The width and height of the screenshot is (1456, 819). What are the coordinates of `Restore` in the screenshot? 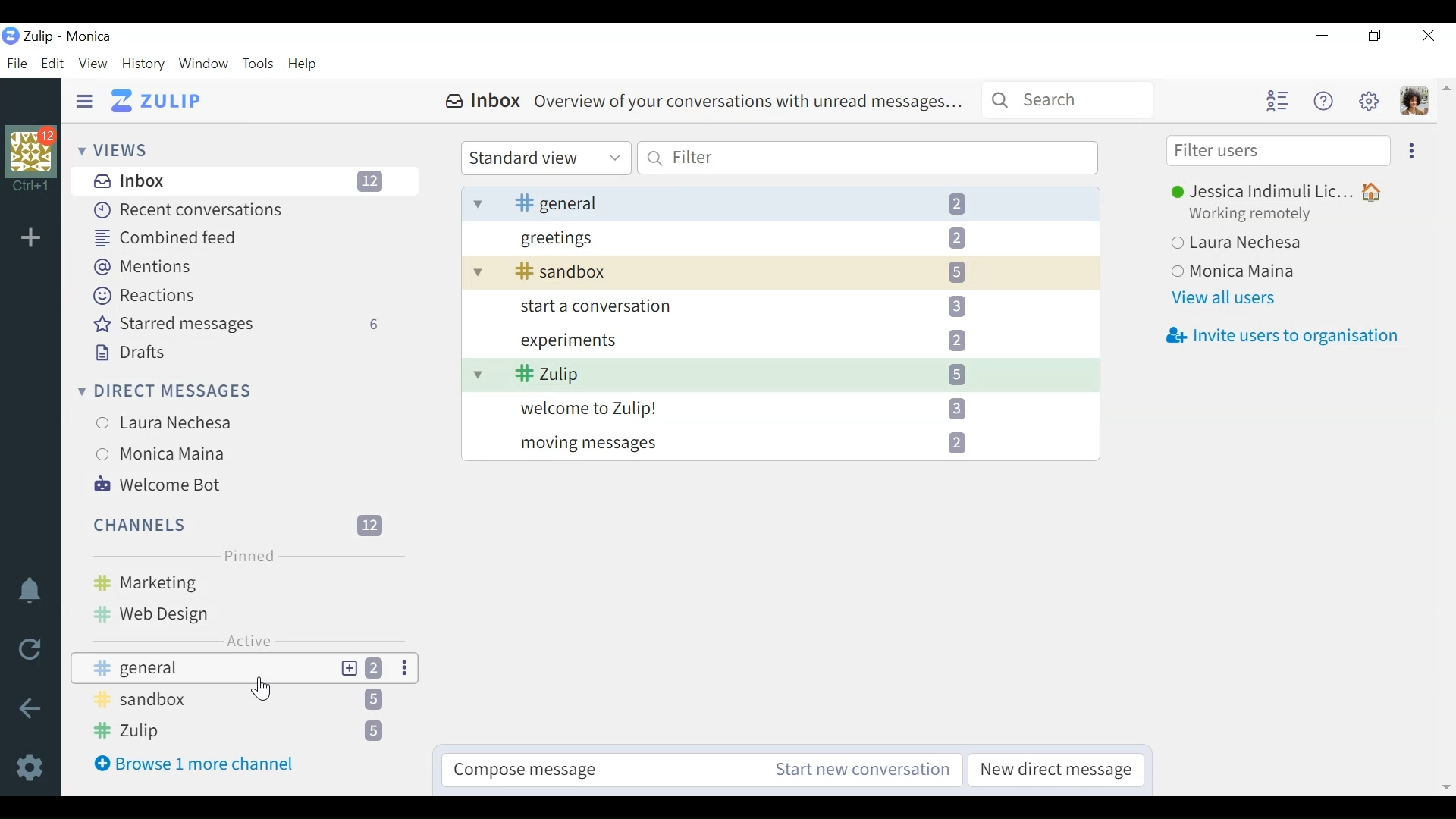 It's located at (1373, 36).